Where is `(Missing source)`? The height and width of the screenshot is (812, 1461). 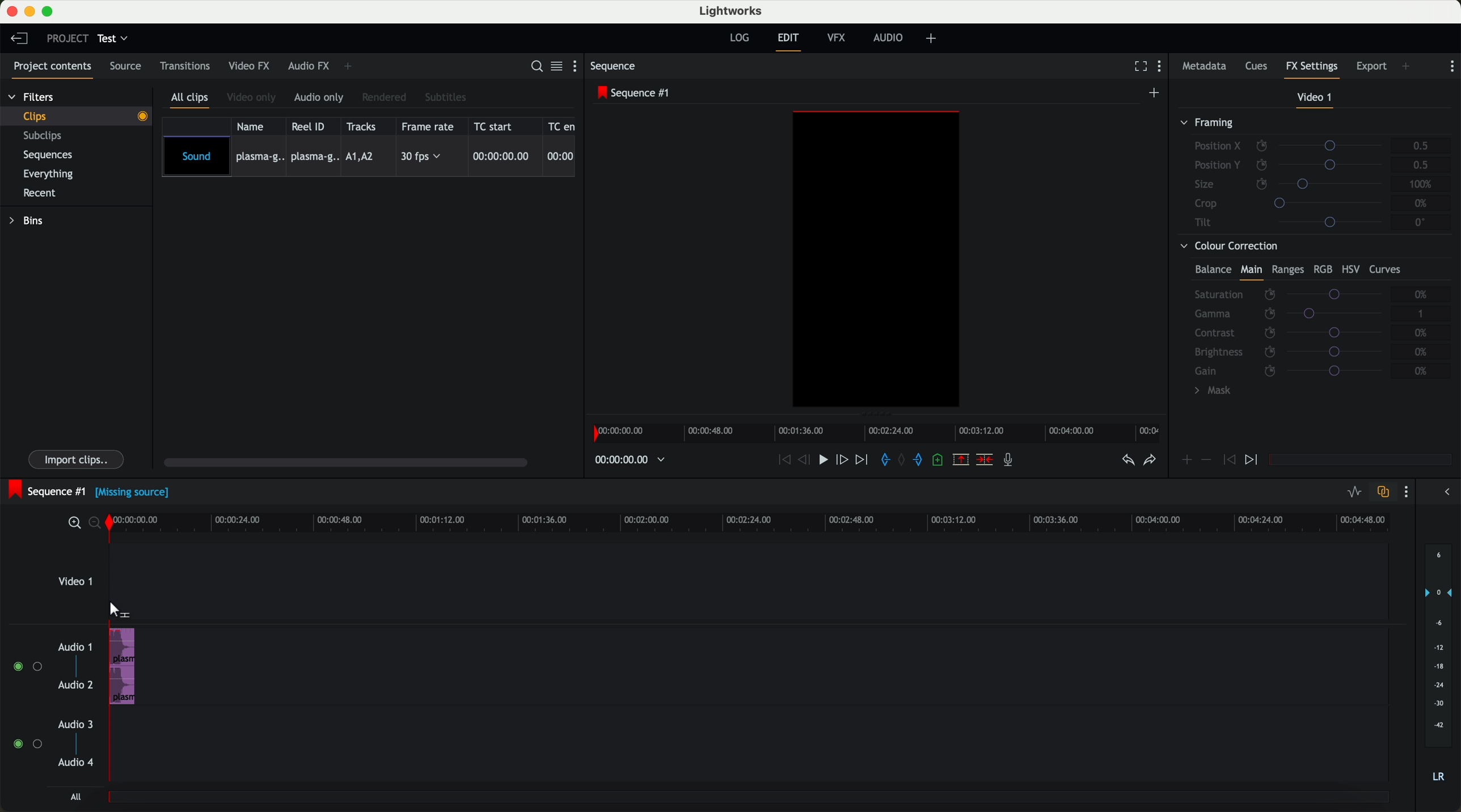
(Missing source) is located at coordinates (135, 494).